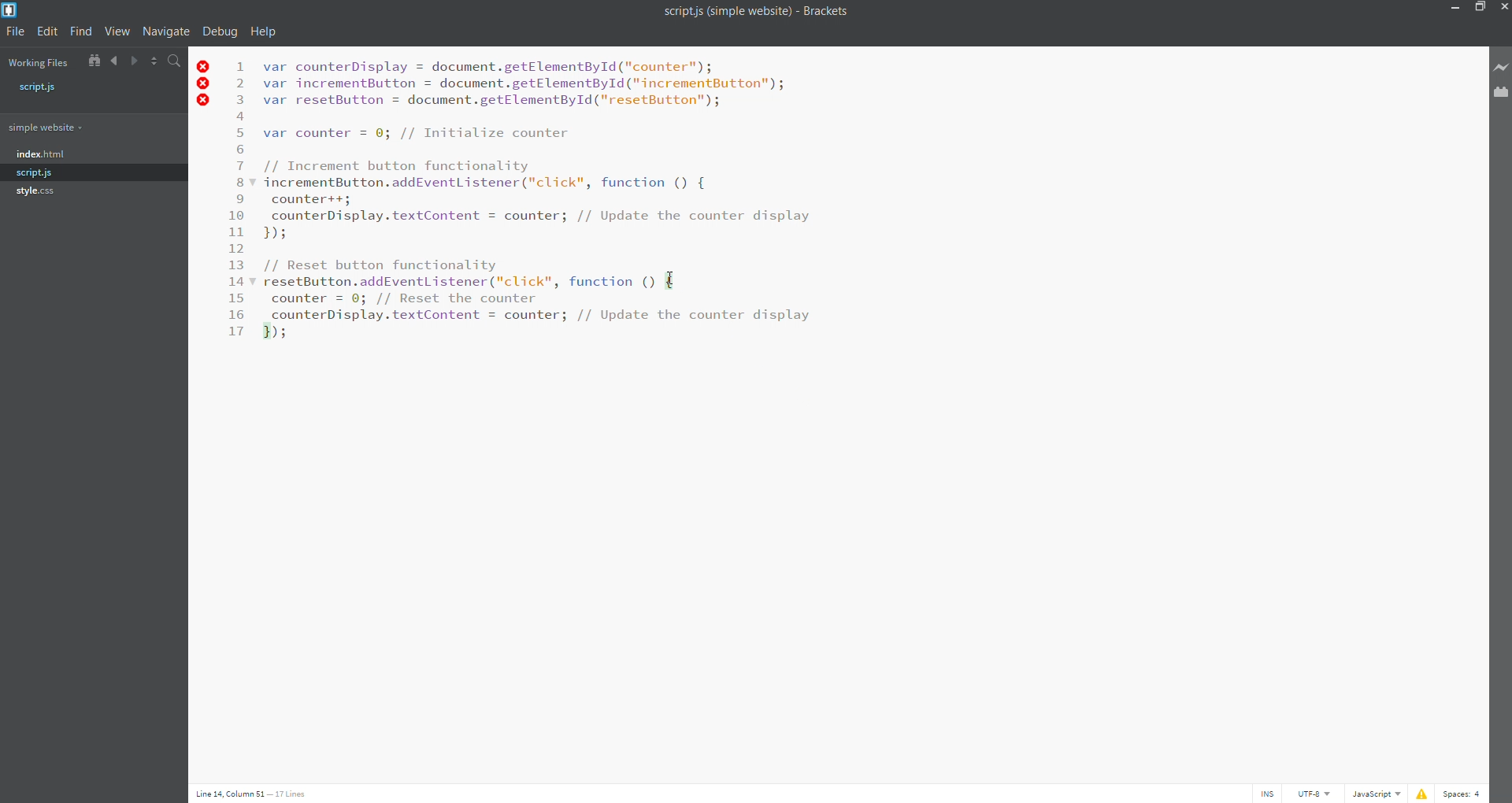 The width and height of the screenshot is (1512, 803). I want to click on indentation, so click(1466, 793).